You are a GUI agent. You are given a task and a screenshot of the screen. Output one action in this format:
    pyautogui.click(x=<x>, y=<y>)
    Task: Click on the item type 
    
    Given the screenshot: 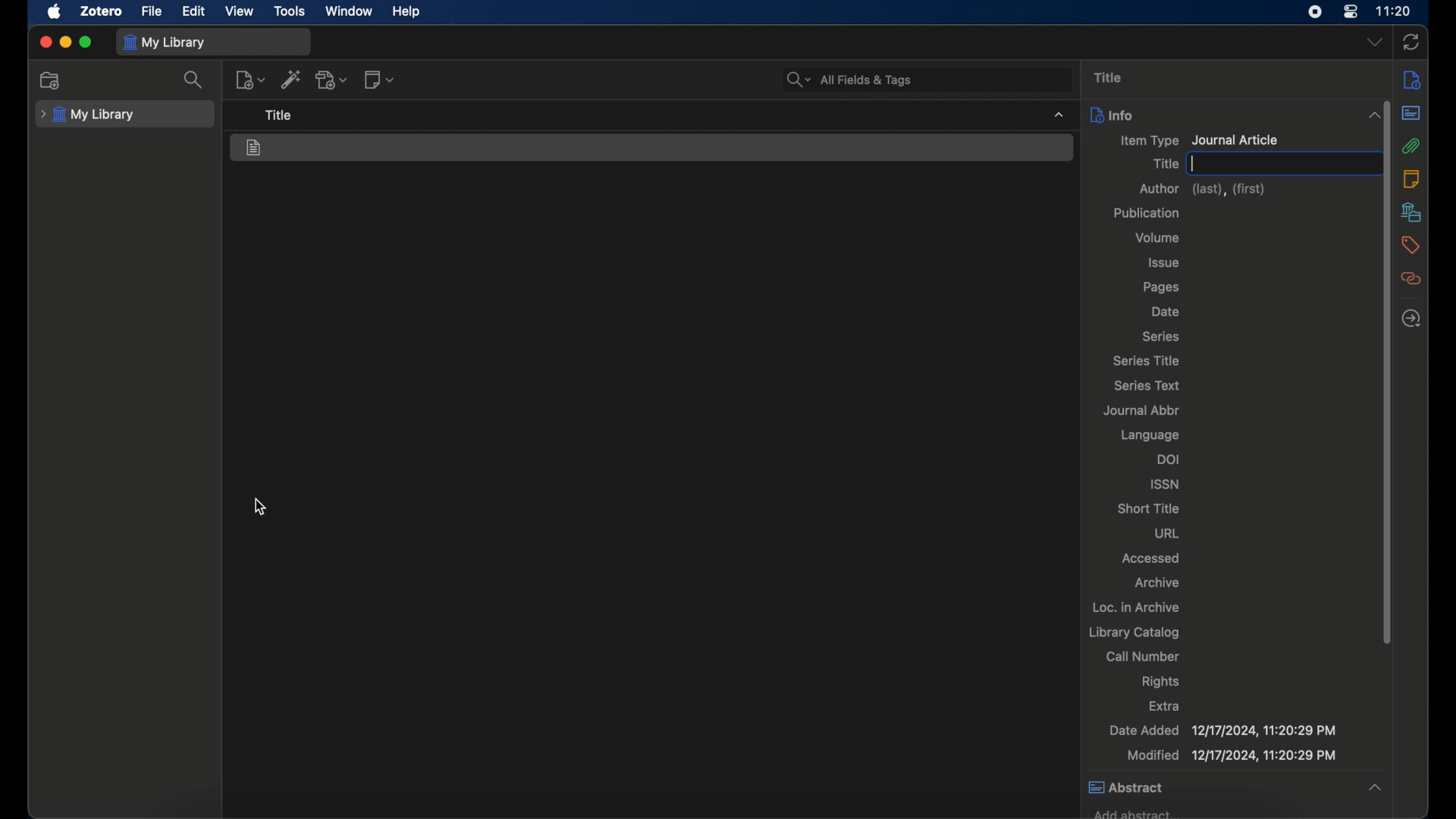 What is the action you would take?
    pyautogui.click(x=1200, y=140)
    